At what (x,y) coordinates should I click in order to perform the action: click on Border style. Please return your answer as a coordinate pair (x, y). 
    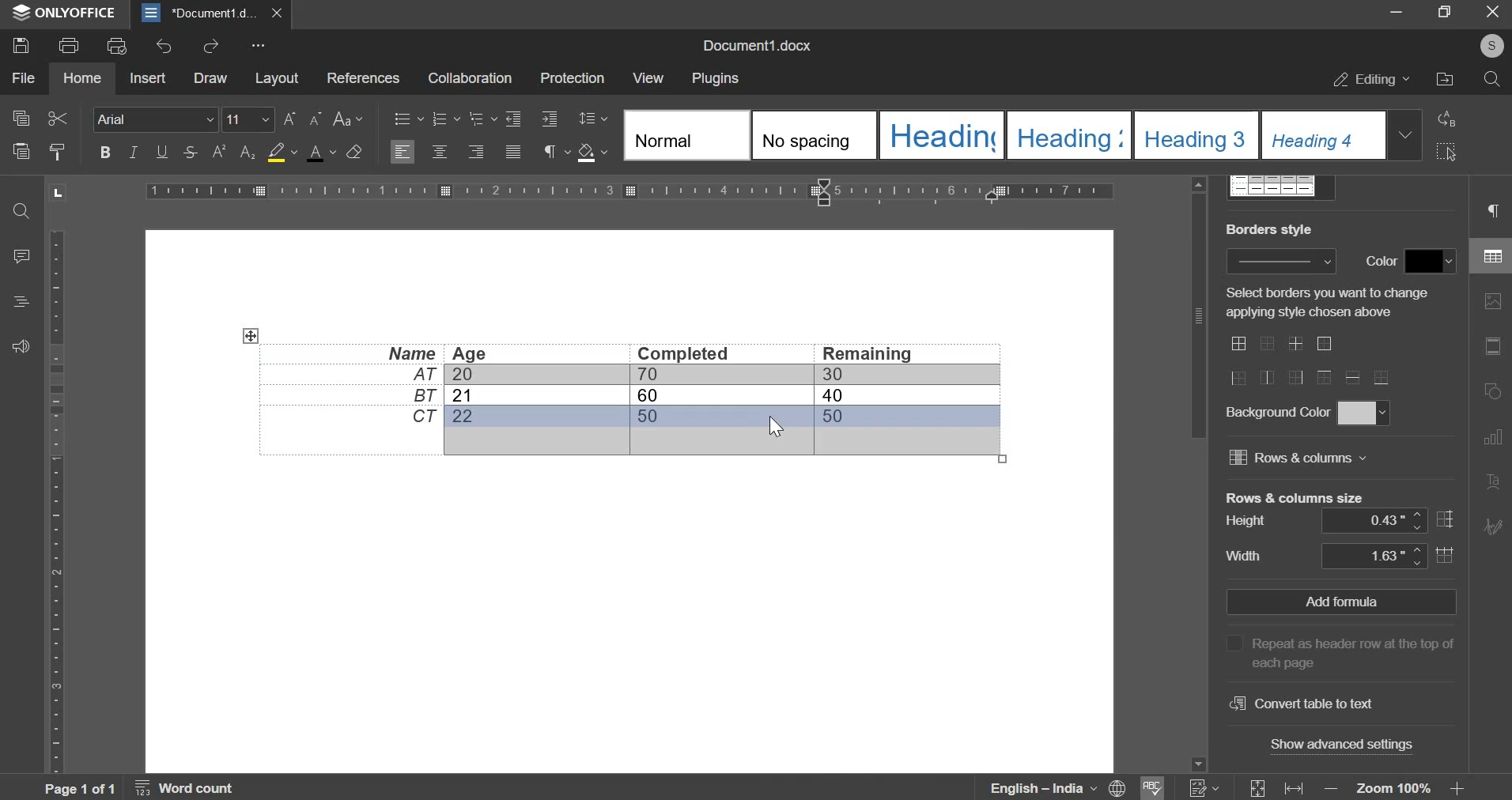
    Looking at the image, I should click on (1280, 261).